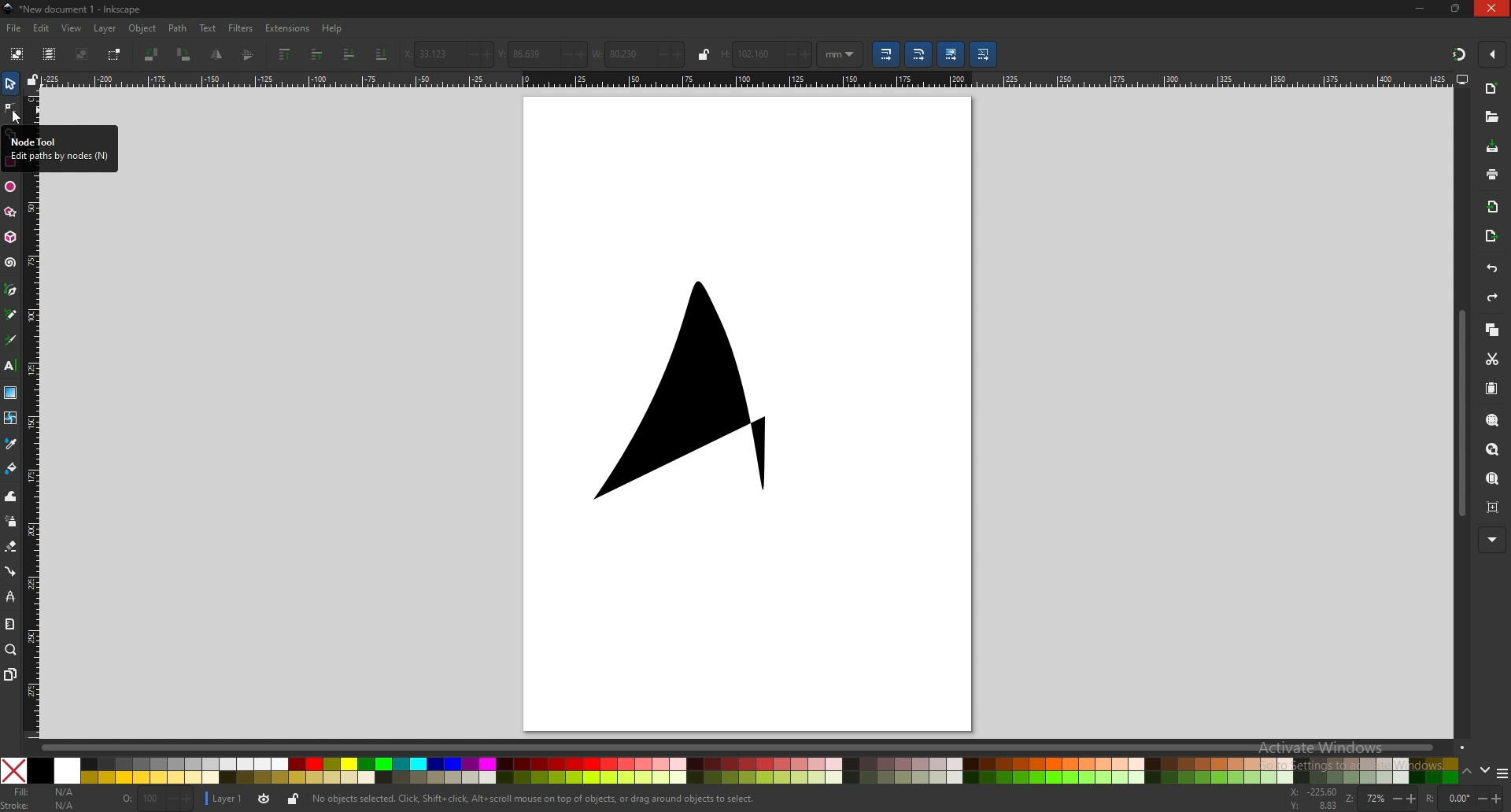 The width and height of the screenshot is (1511, 812). I want to click on close, so click(1491, 8).